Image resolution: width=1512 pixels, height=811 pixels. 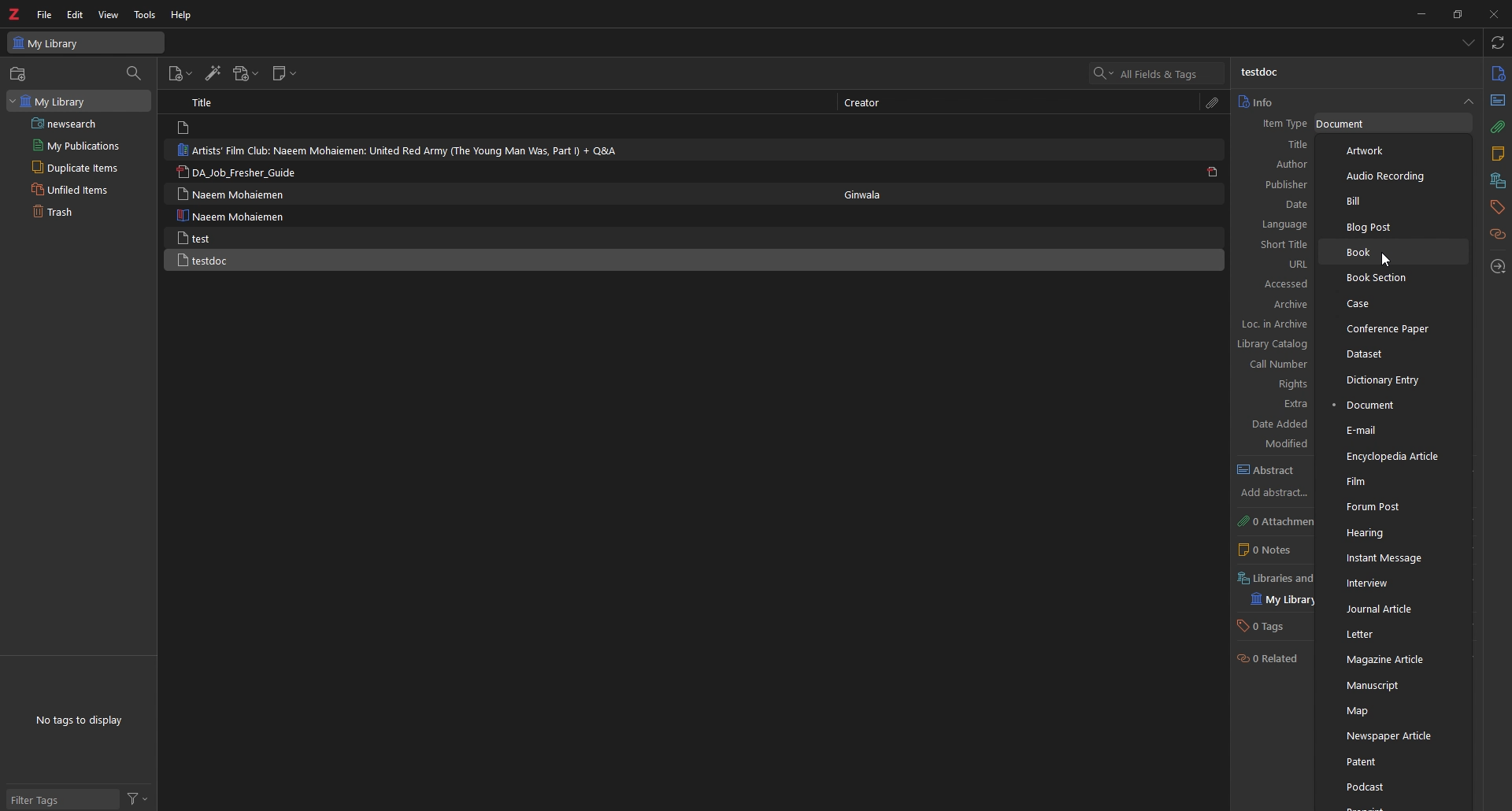 What do you see at coordinates (1279, 225) in the screenshot?
I see `Language` at bounding box center [1279, 225].